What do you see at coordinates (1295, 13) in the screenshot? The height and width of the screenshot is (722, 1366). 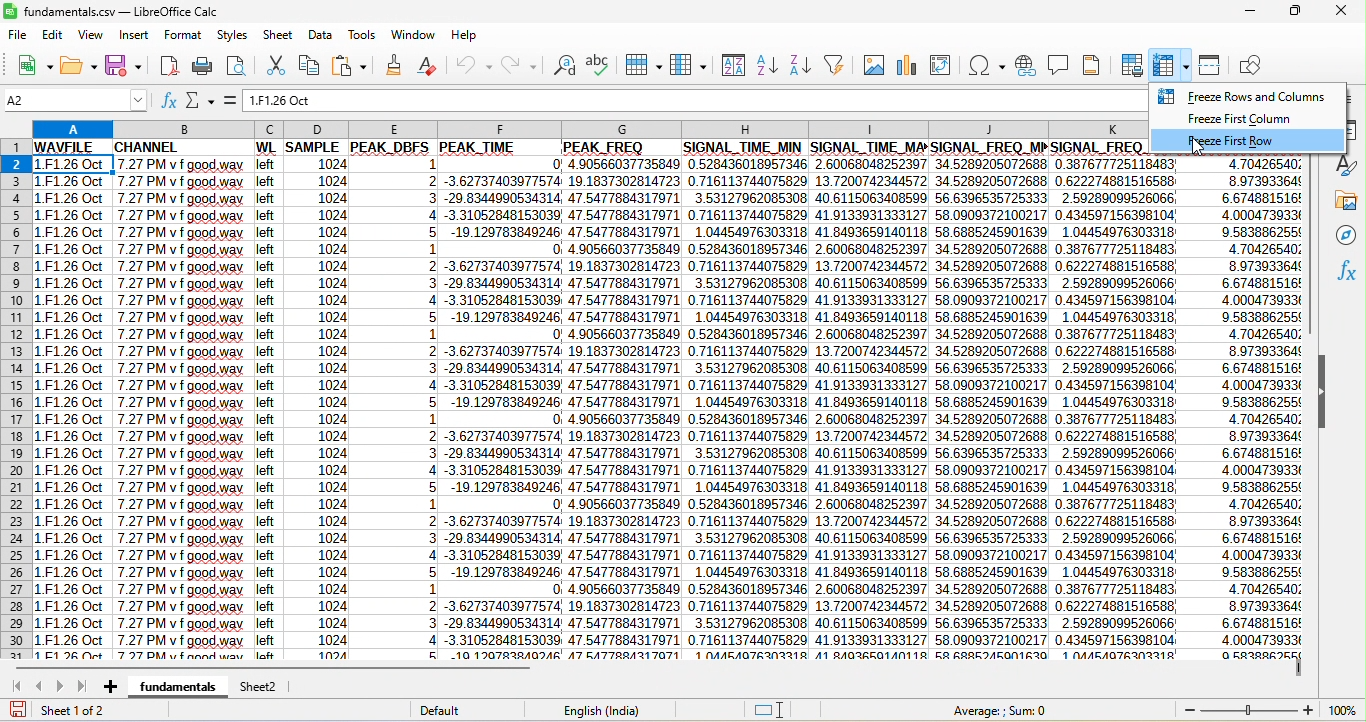 I see `maximize` at bounding box center [1295, 13].